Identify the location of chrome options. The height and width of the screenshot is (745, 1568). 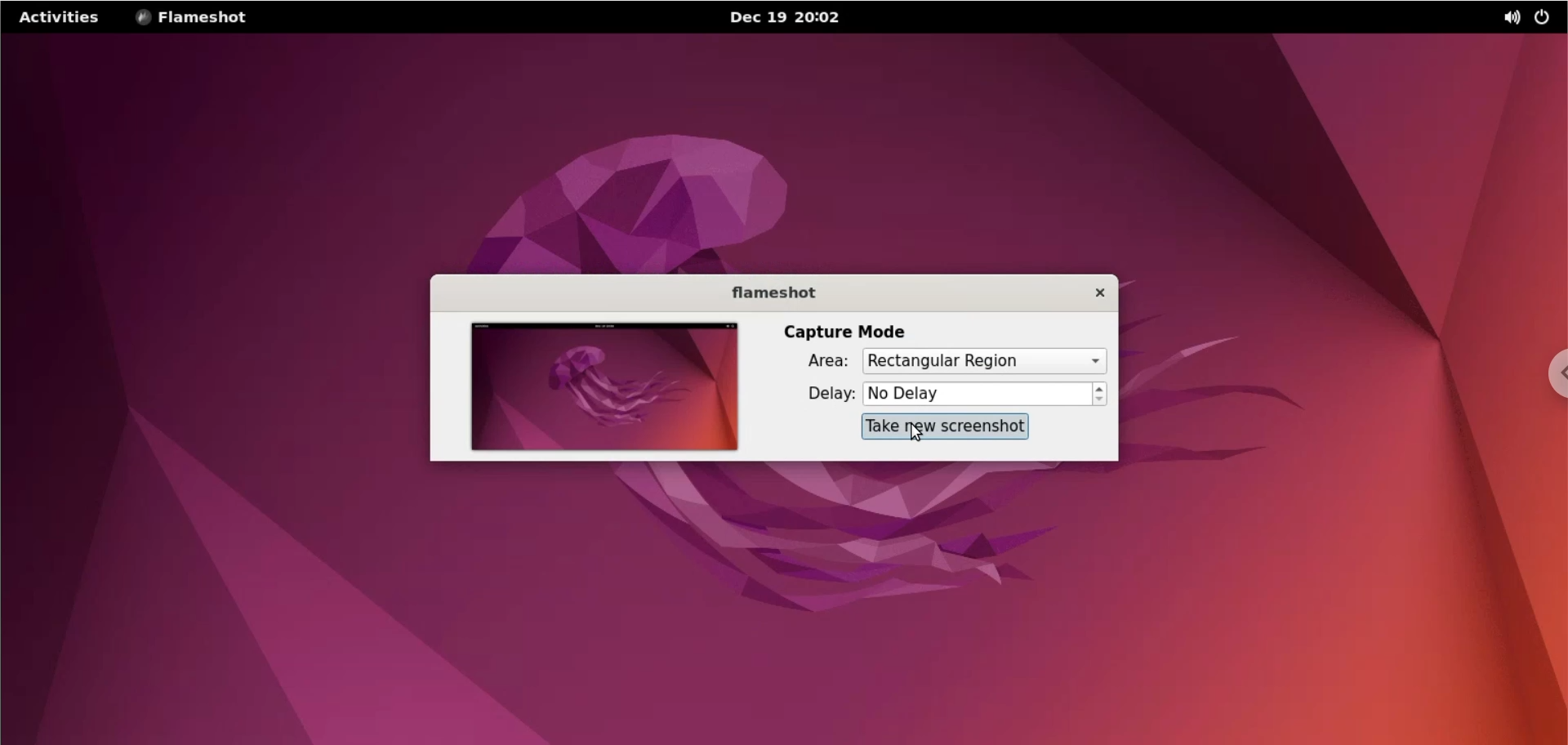
(1552, 377).